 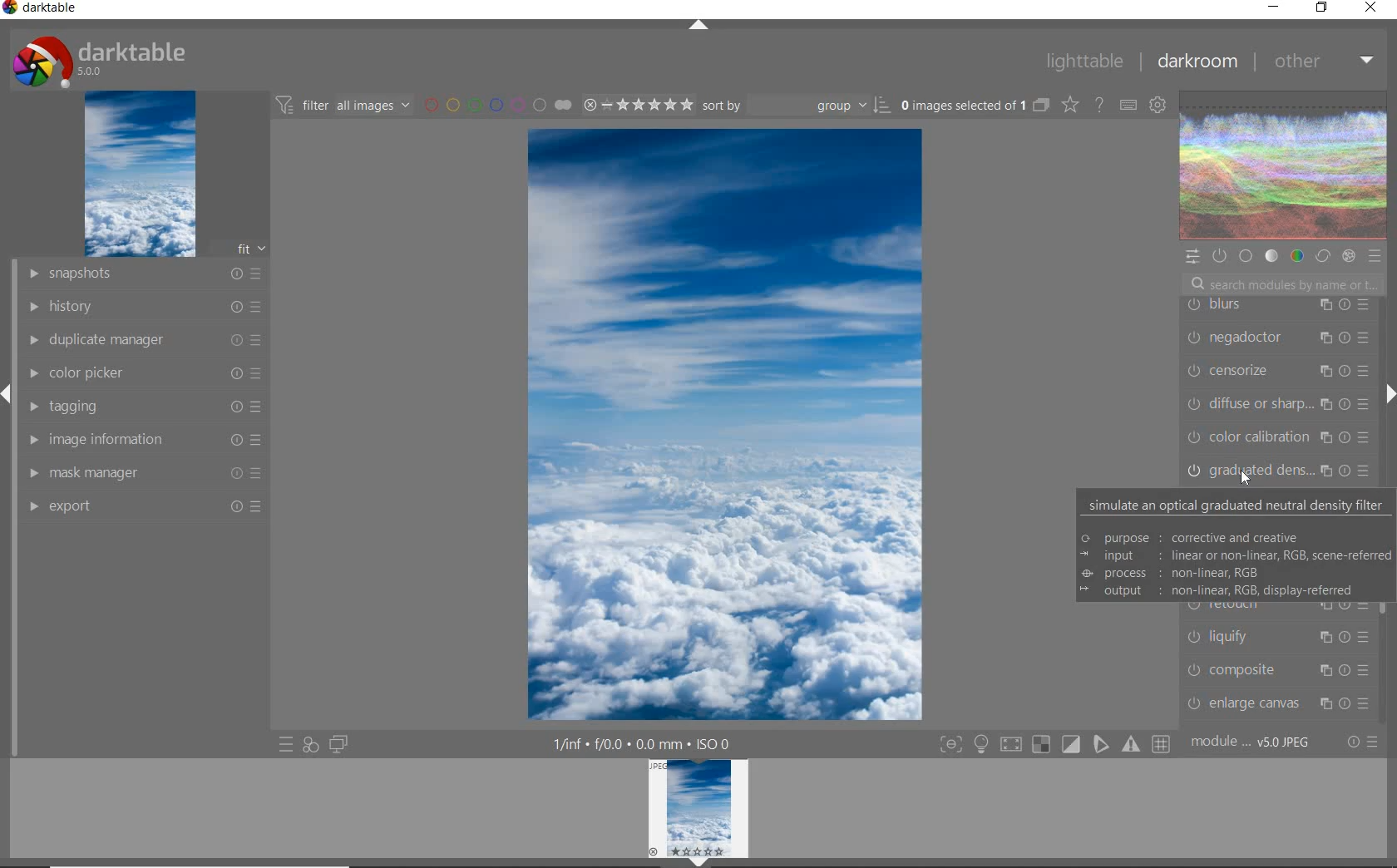 I want to click on 0 images selected of, so click(x=961, y=104).